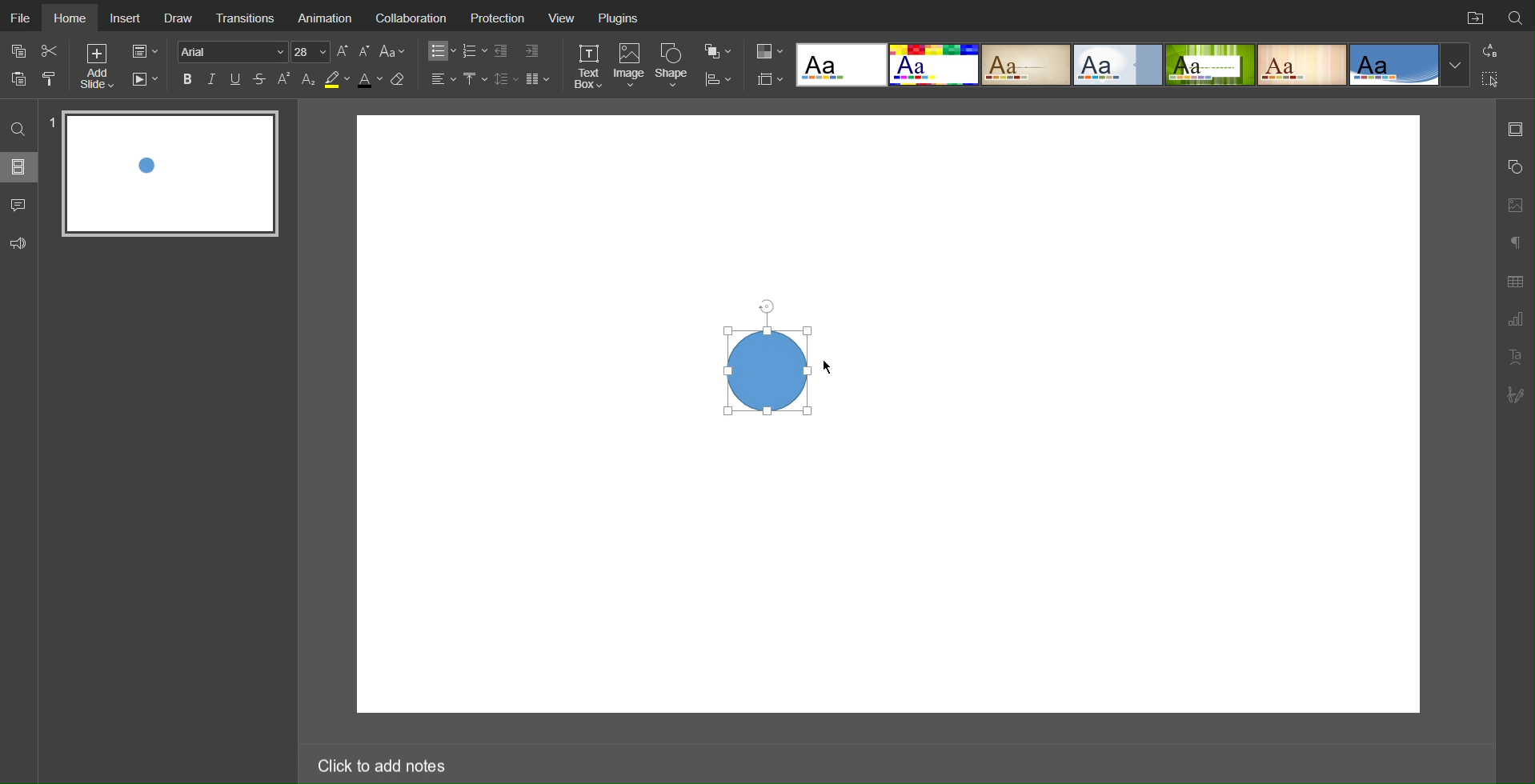 The height and width of the screenshot is (784, 1535). What do you see at coordinates (309, 79) in the screenshot?
I see `Subscript` at bounding box center [309, 79].